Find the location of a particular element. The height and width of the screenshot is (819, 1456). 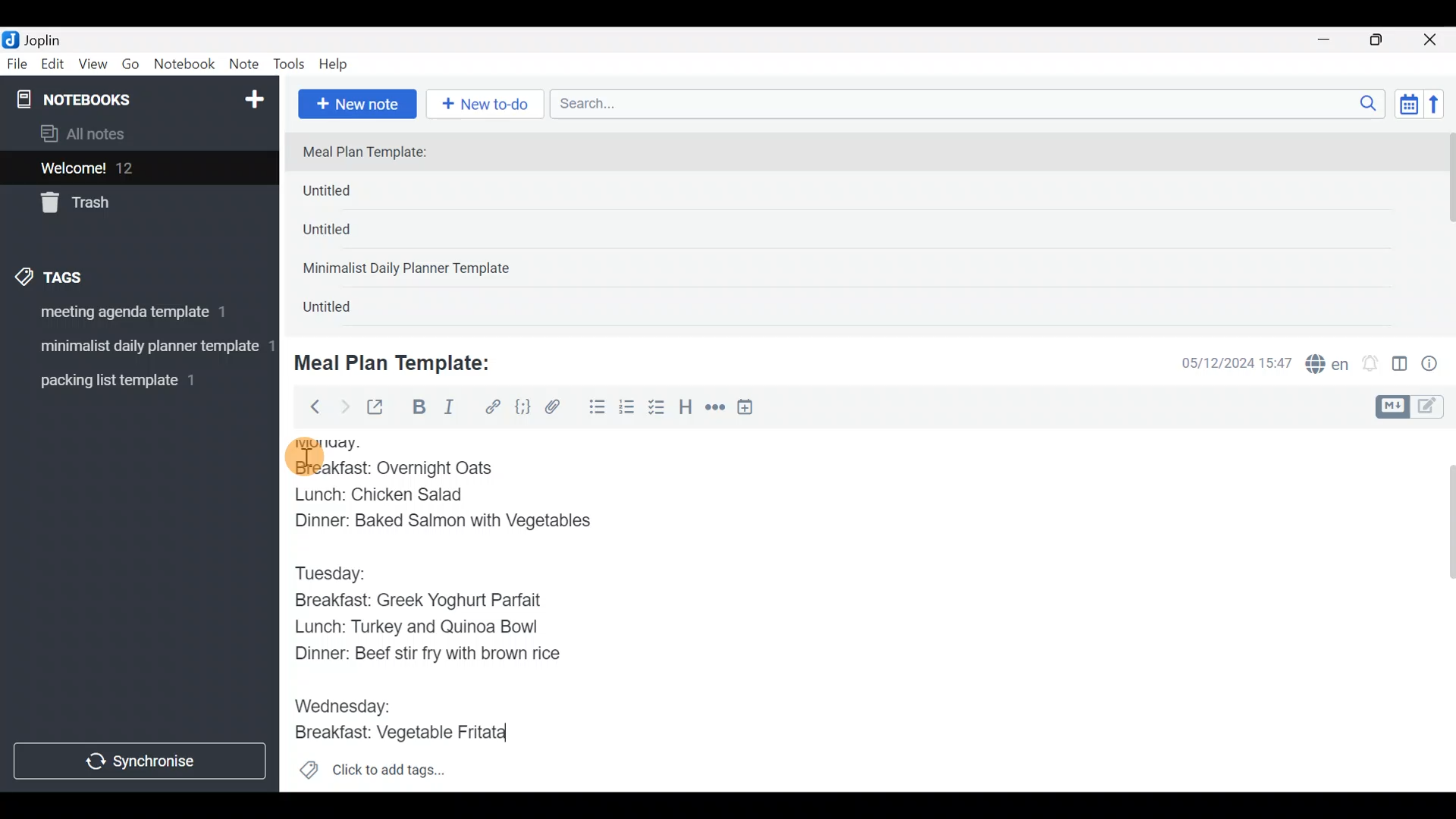

Untitled is located at coordinates (347, 234).